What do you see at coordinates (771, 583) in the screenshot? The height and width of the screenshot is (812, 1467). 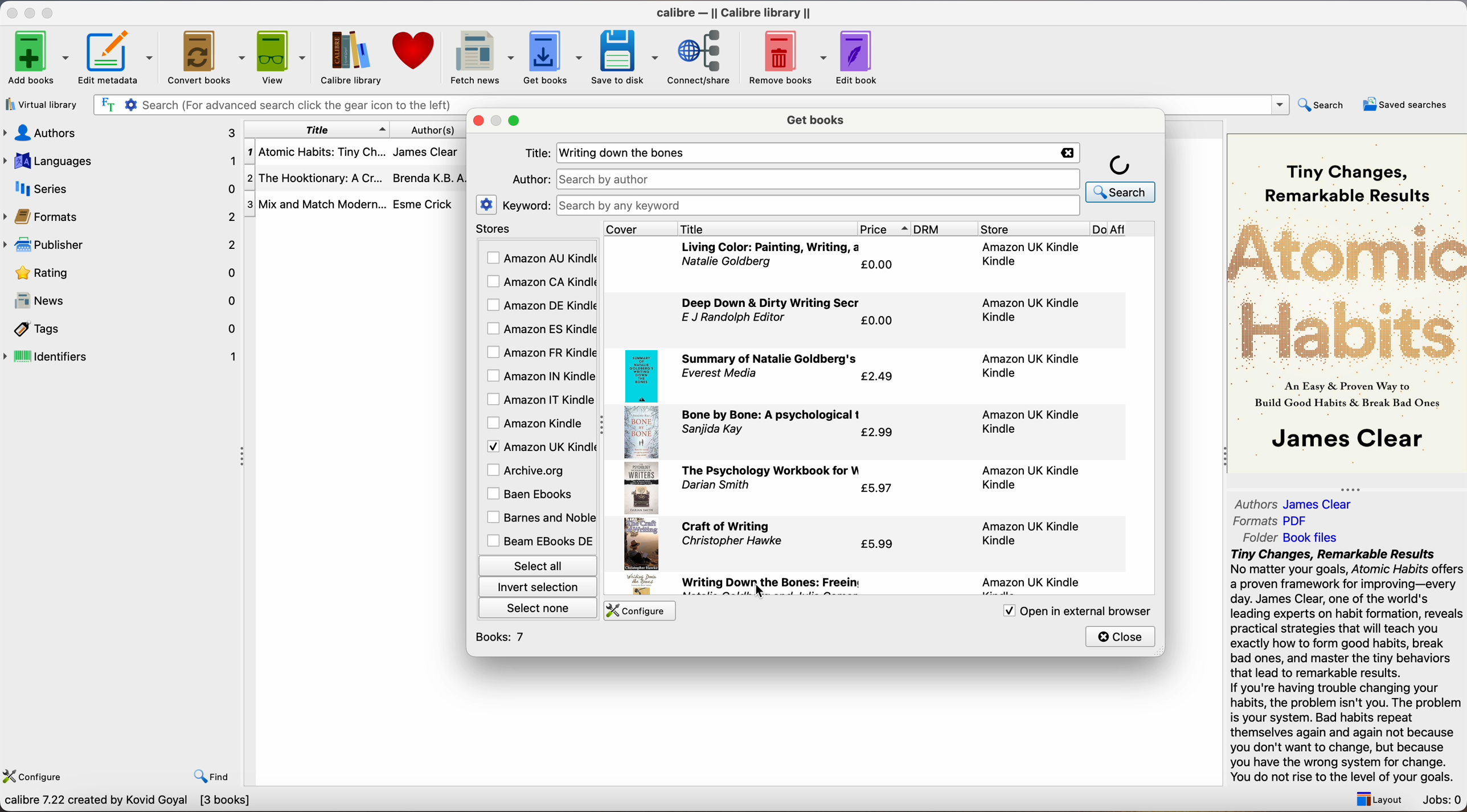 I see `Writing down the bones: Freein` at bounding box center [771, 583].